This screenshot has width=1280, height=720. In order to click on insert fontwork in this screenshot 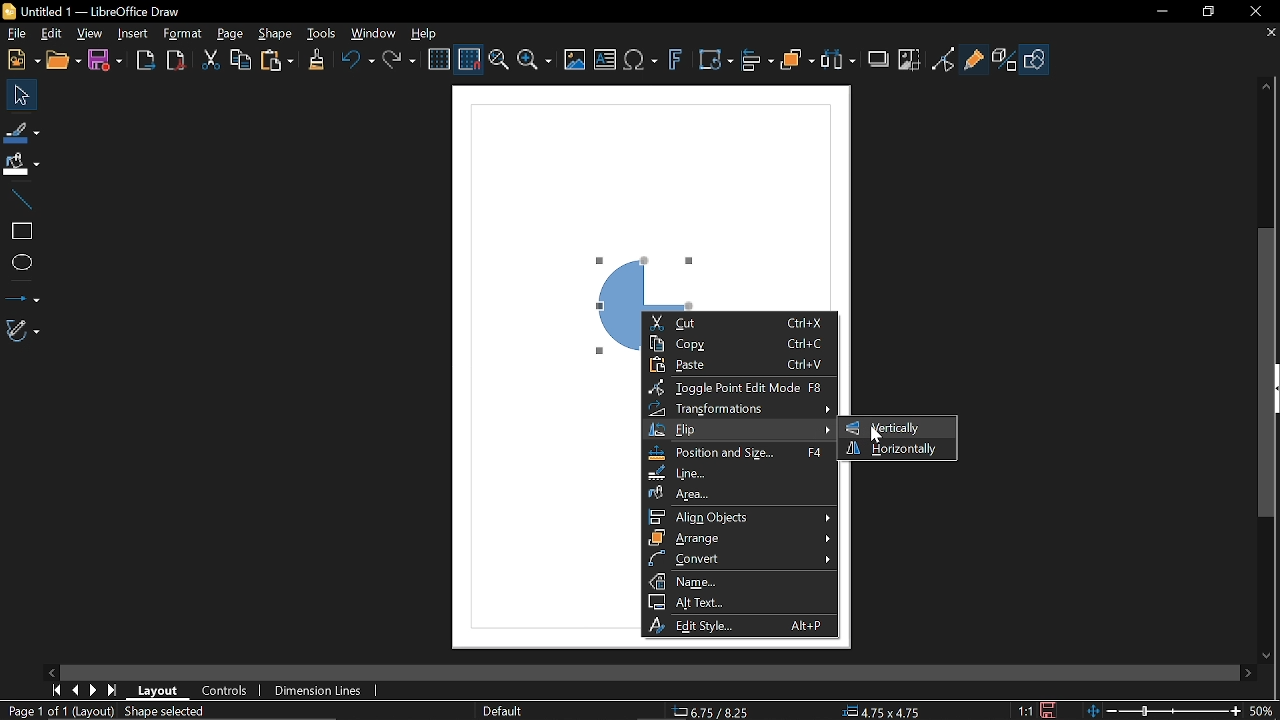, I will do `click(677, 61)`.